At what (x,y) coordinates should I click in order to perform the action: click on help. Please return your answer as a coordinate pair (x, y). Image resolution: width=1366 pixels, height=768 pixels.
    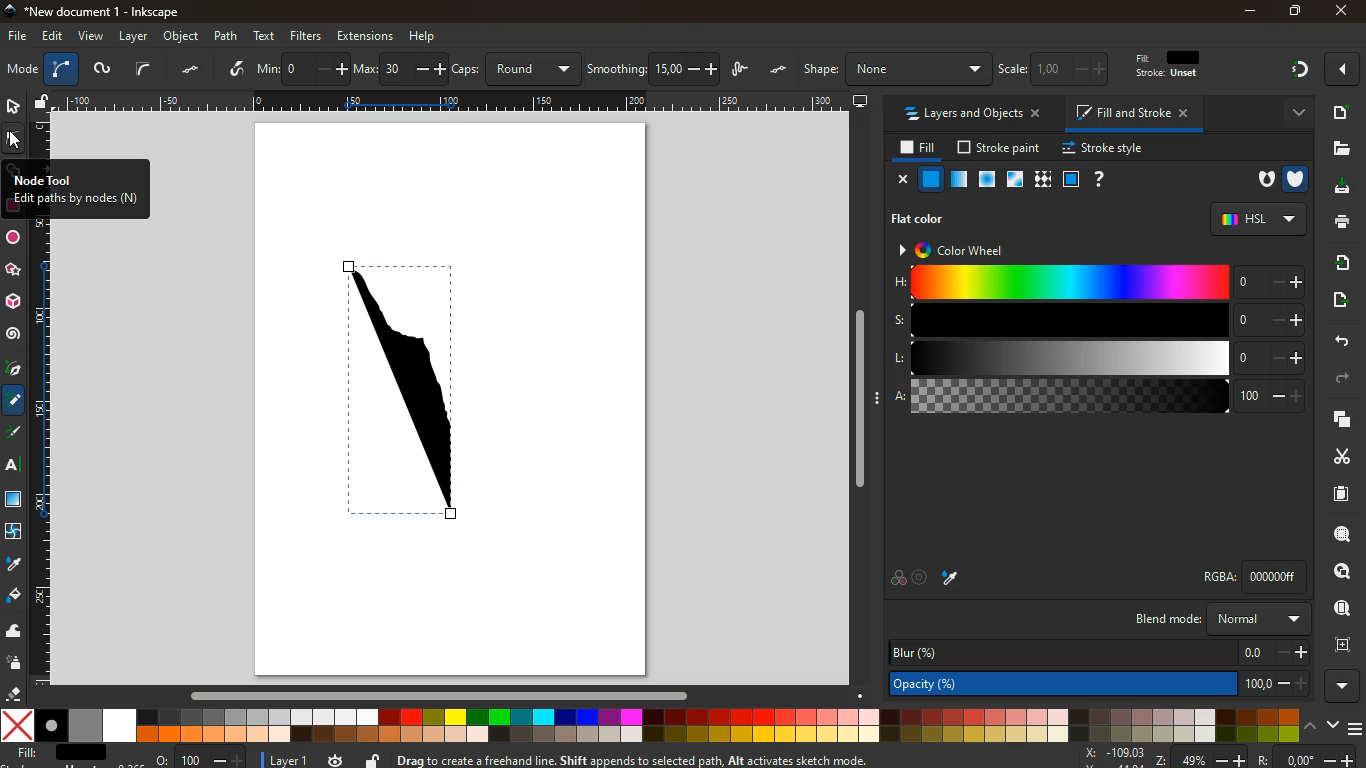
    Looking at the image, I should click on (422, 37).